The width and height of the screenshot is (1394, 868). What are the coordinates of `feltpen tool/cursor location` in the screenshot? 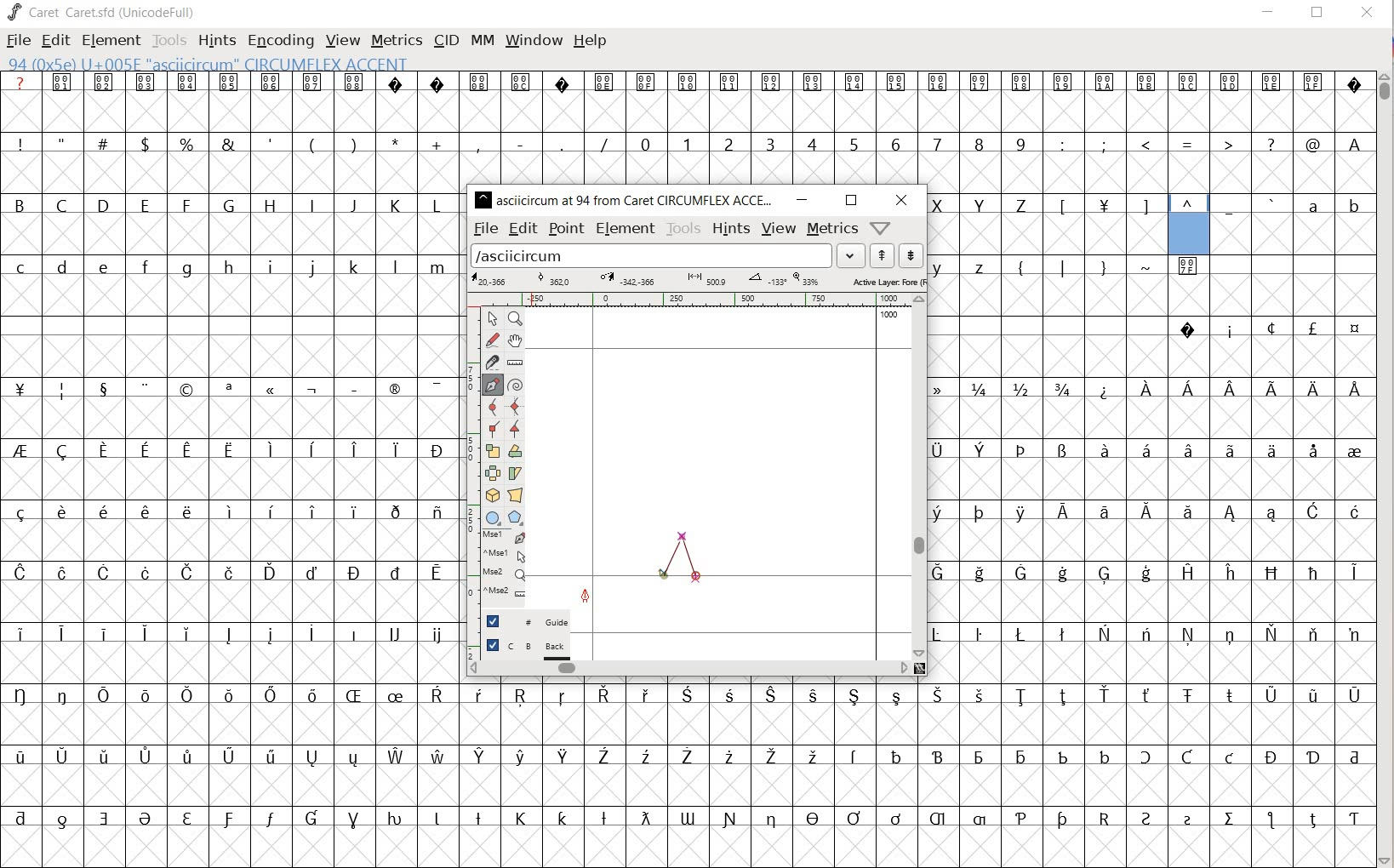 It's located at (586, 600).